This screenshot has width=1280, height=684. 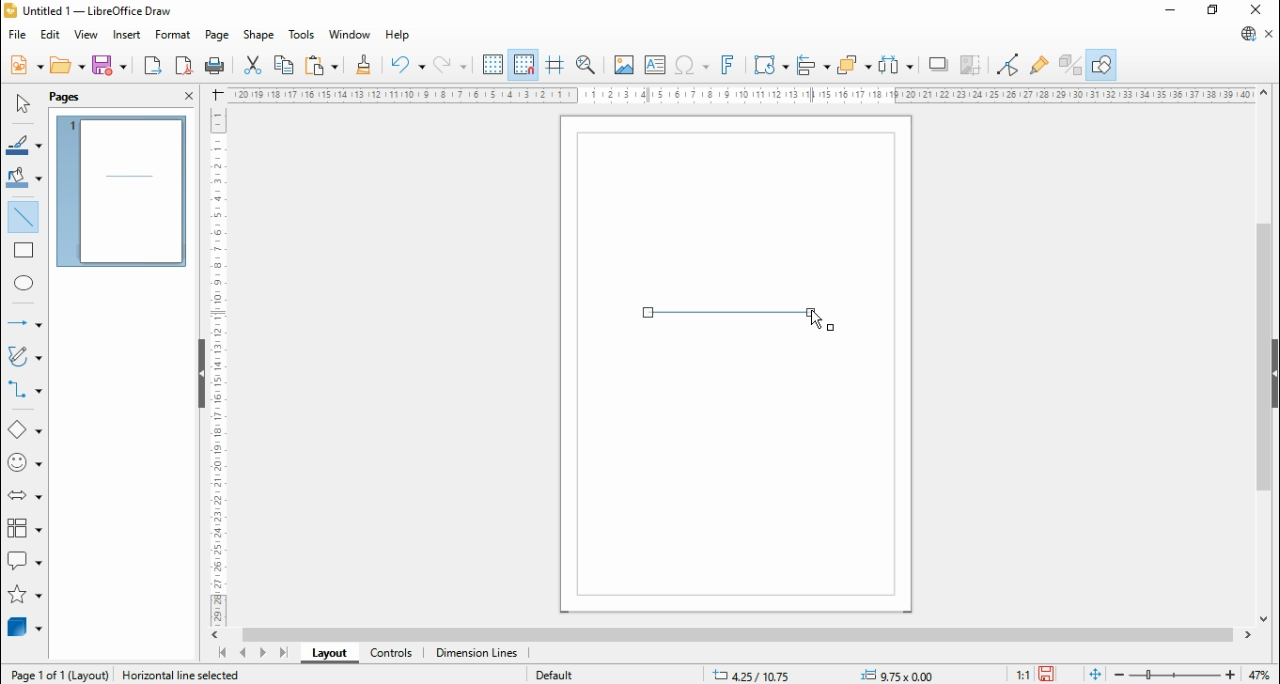 What do you see at coordinates (856, 63) in the screenshot?
I see `arrange` at bounding box center [856, 63].